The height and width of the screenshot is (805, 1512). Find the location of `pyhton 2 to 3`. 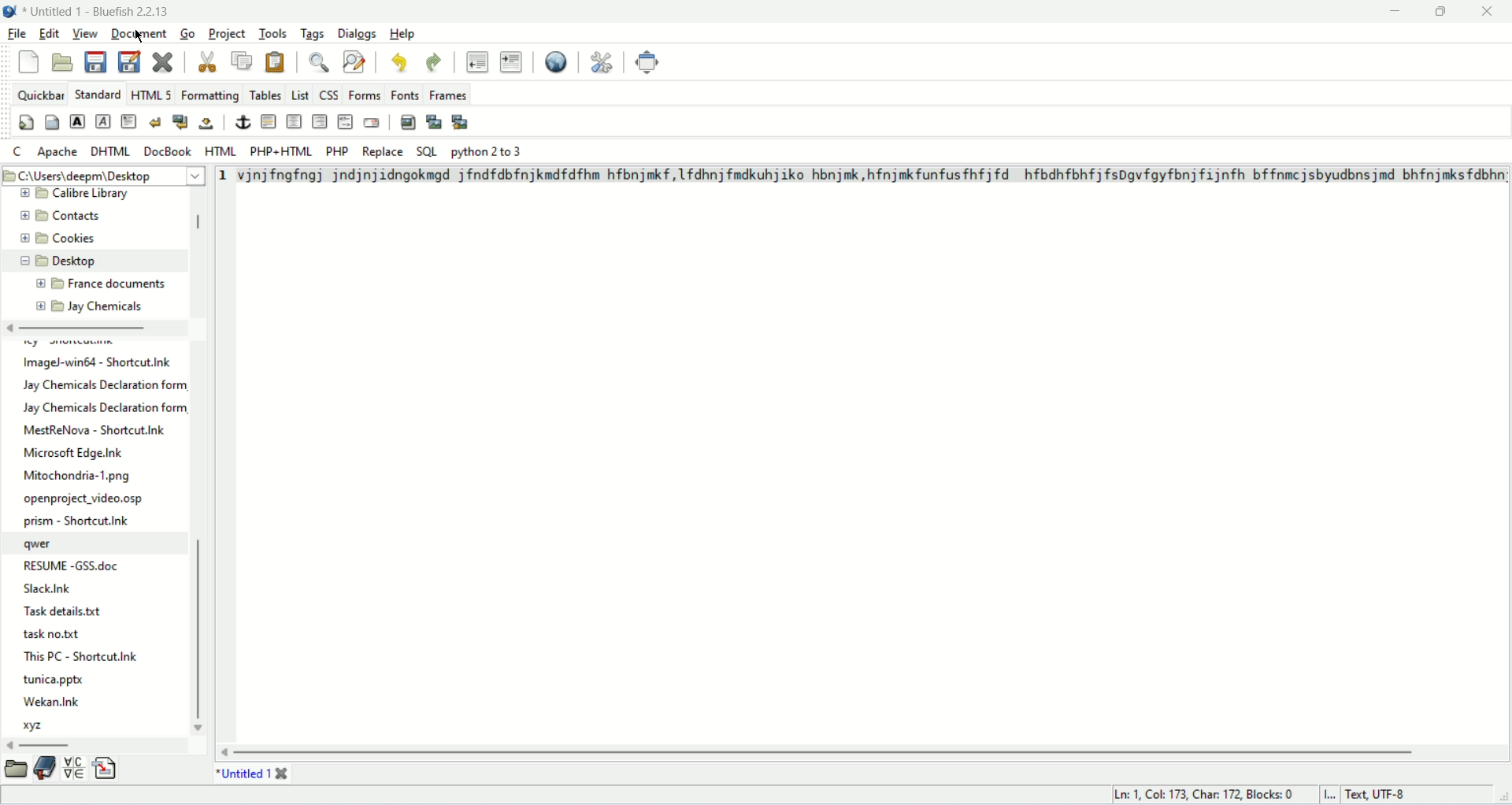

pyhton 2 to 3 is located at coordinates (488, 152).